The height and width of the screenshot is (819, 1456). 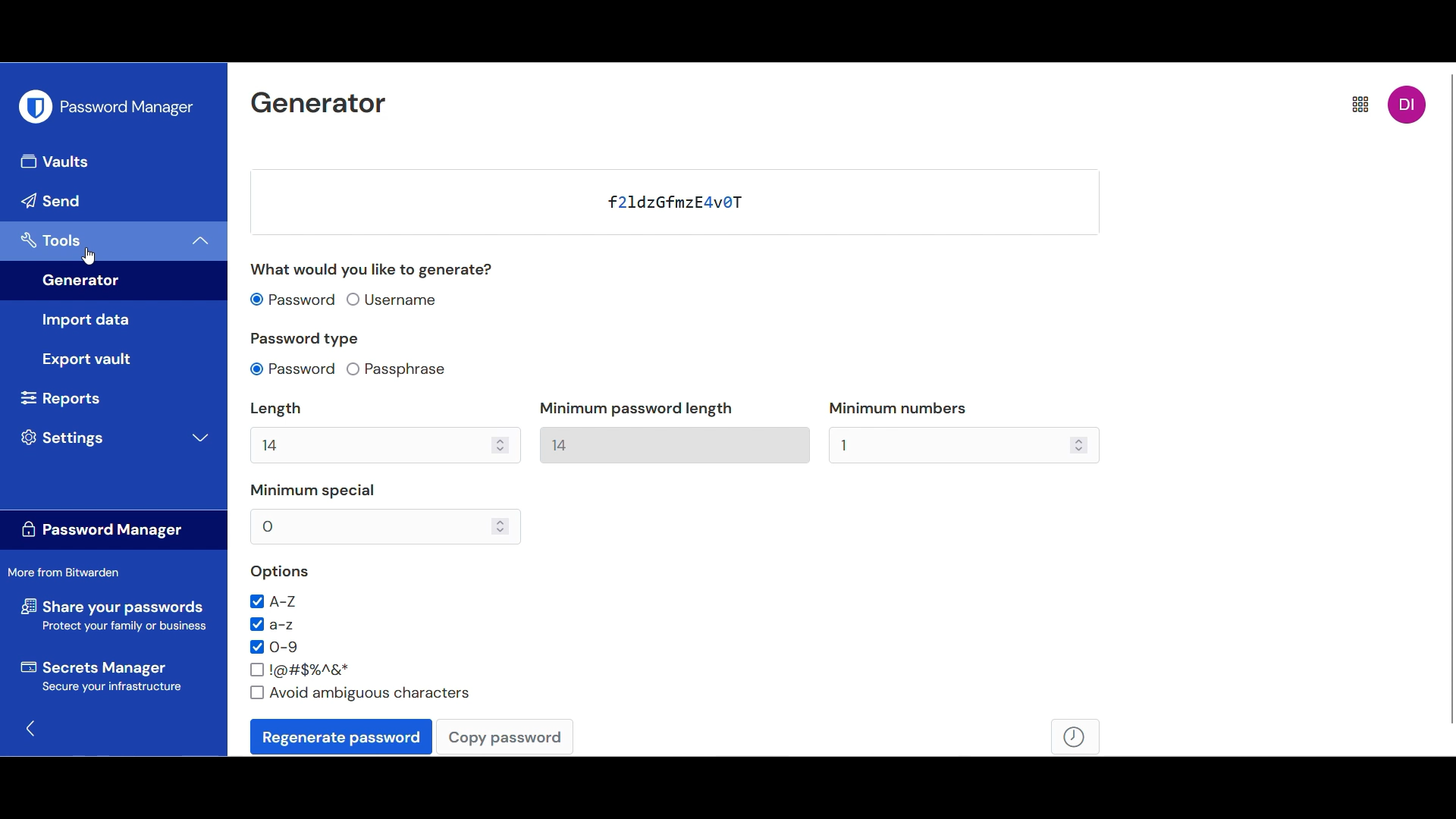 What do you see at coordinates (370, 527) in the screenshot?
I see `Manually enter min. special characters` at bounding box center [370, 527].